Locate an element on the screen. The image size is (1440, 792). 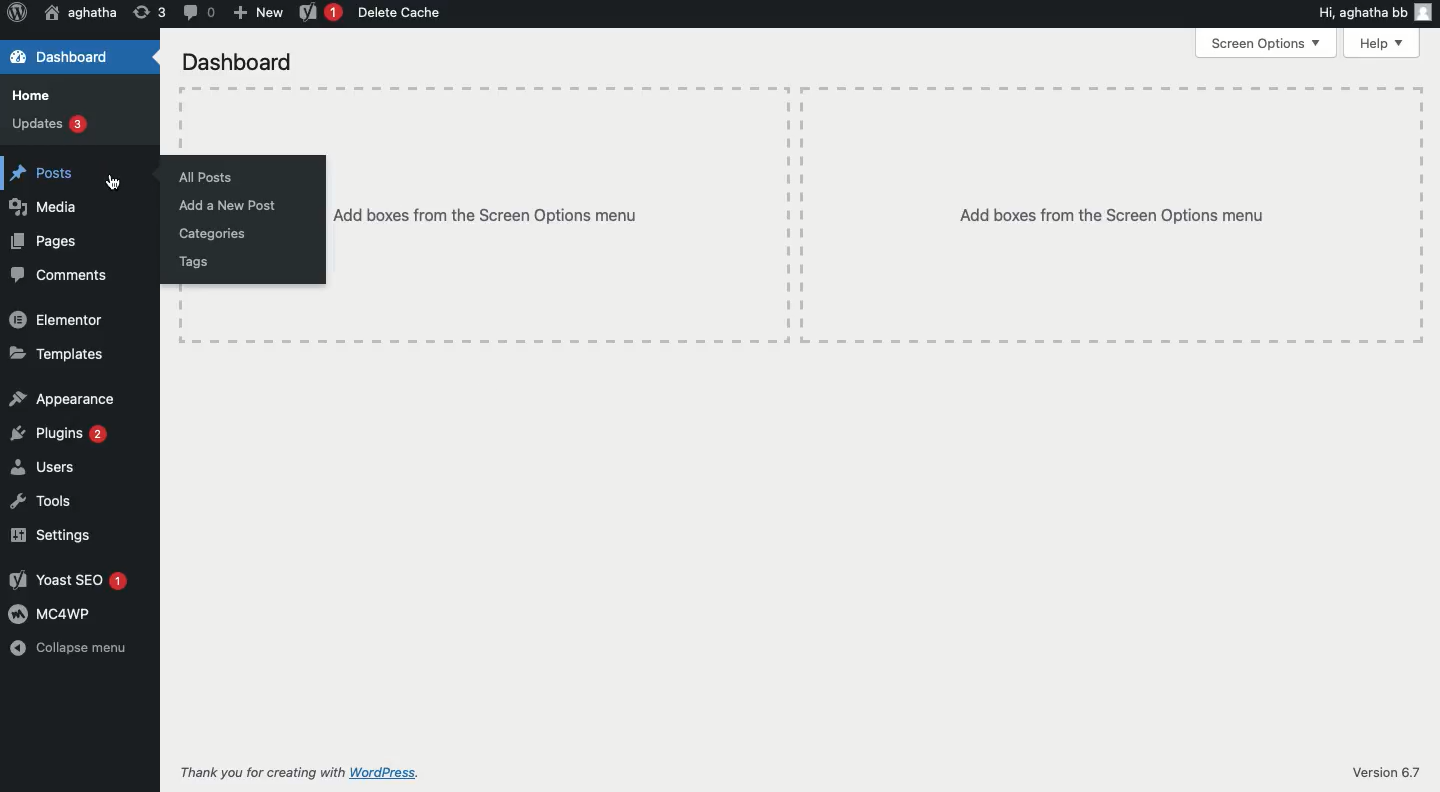
Add boxes from the screen options menu is located at coordinates (556, 215).